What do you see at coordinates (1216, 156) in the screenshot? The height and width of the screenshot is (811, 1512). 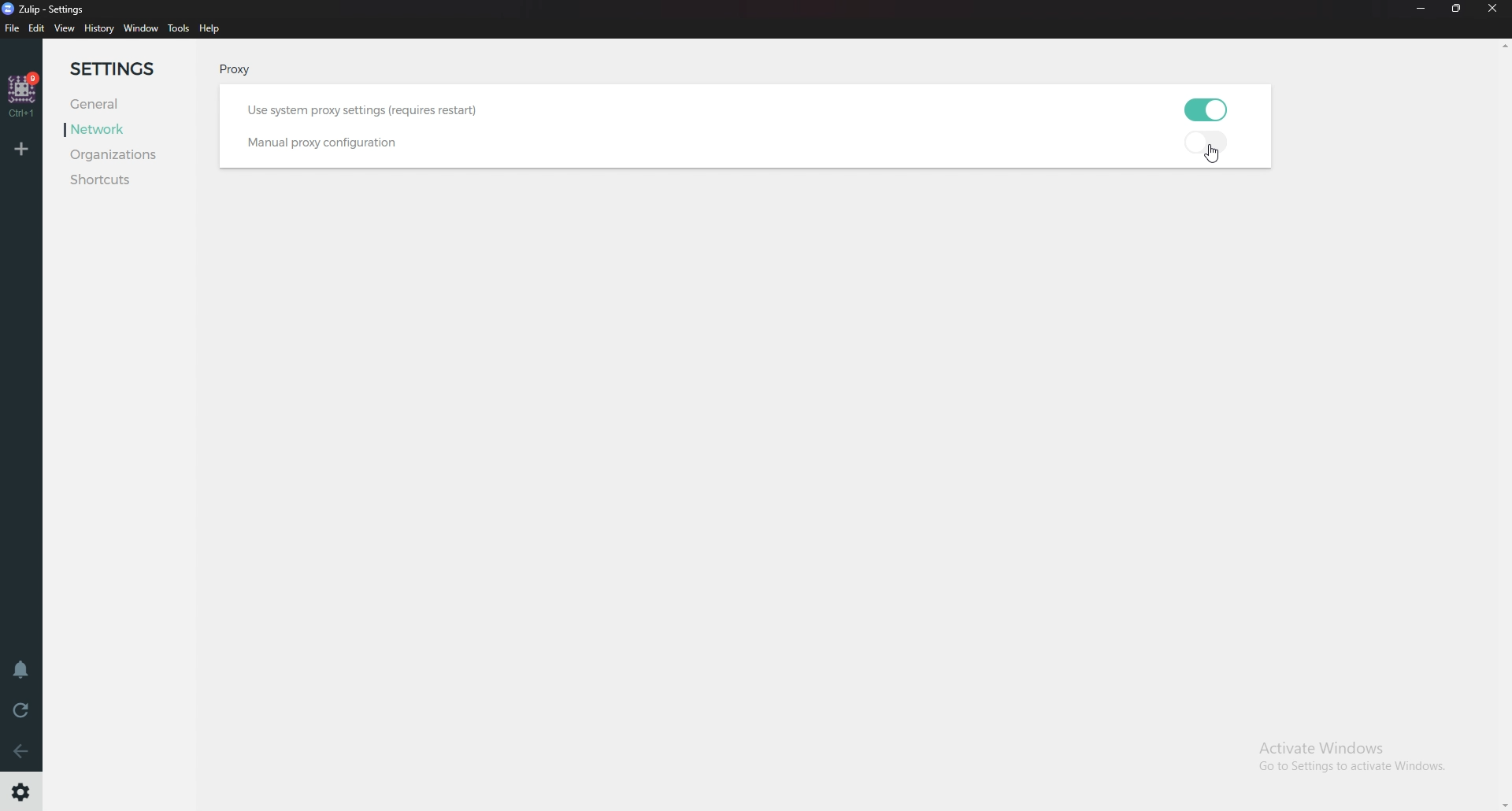 I see `Cursor` at bounding box center [1216, 156].